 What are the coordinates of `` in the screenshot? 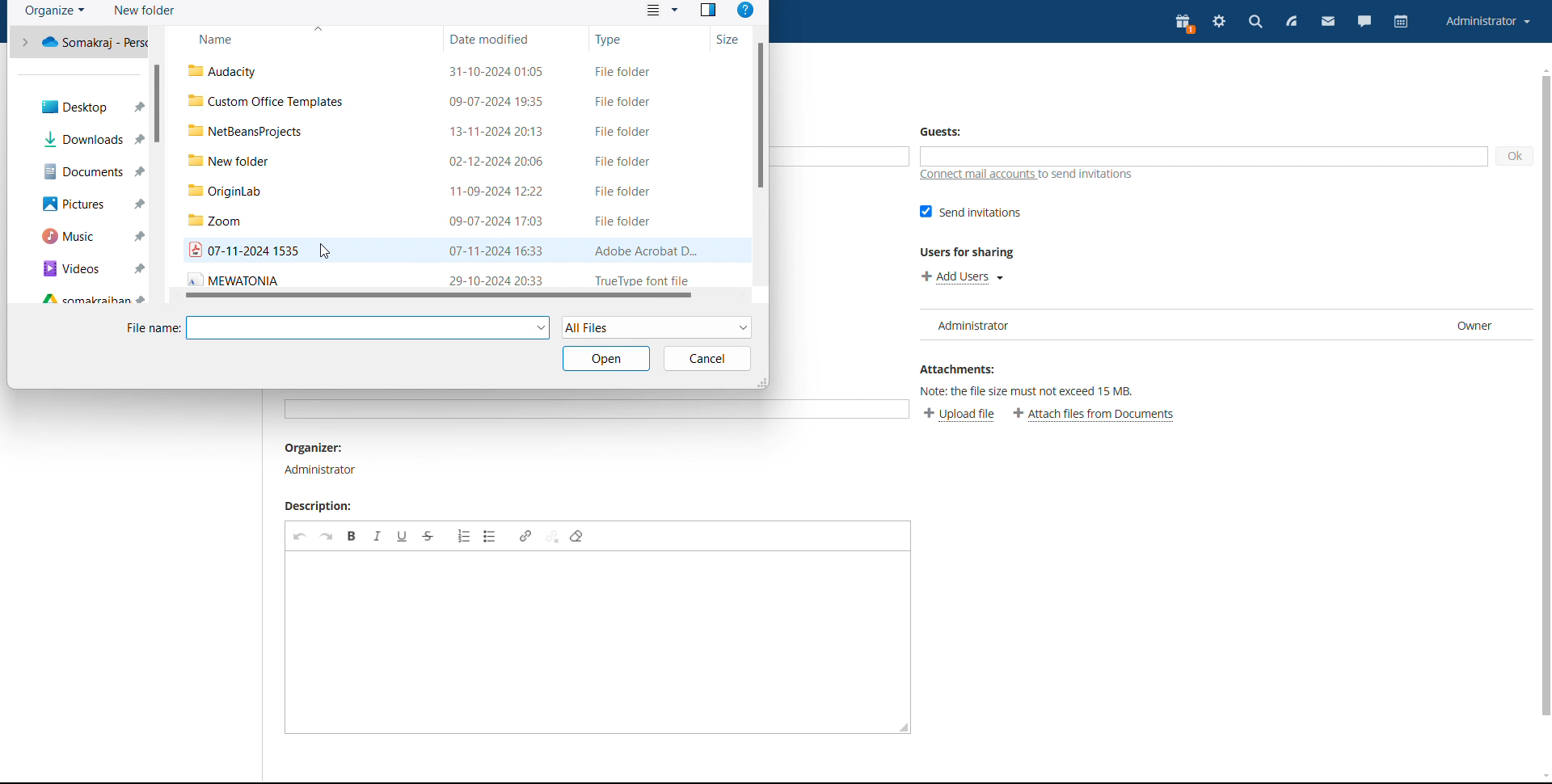 It's located at (445, 252).